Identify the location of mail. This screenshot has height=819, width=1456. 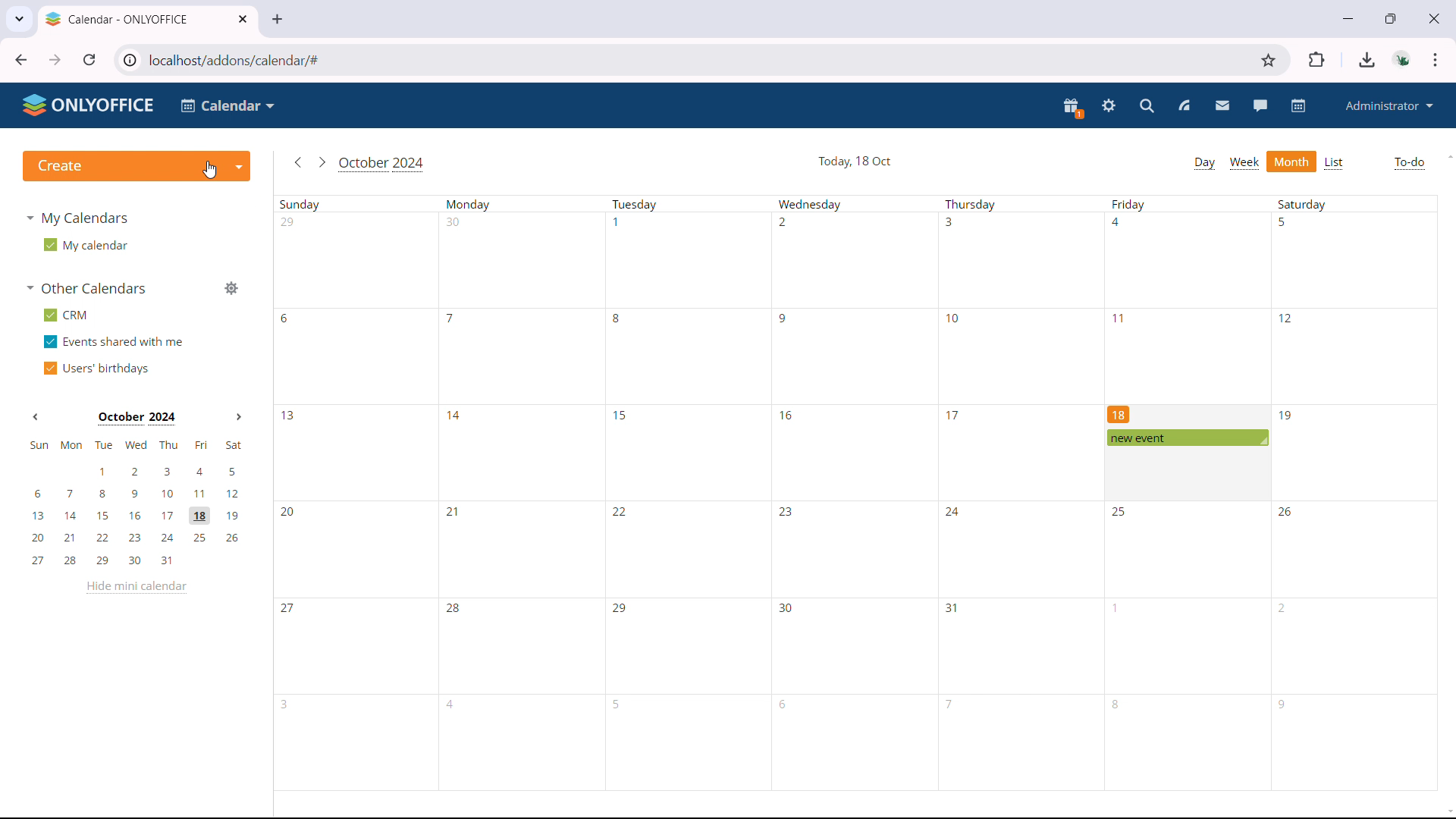
(1222, 106).